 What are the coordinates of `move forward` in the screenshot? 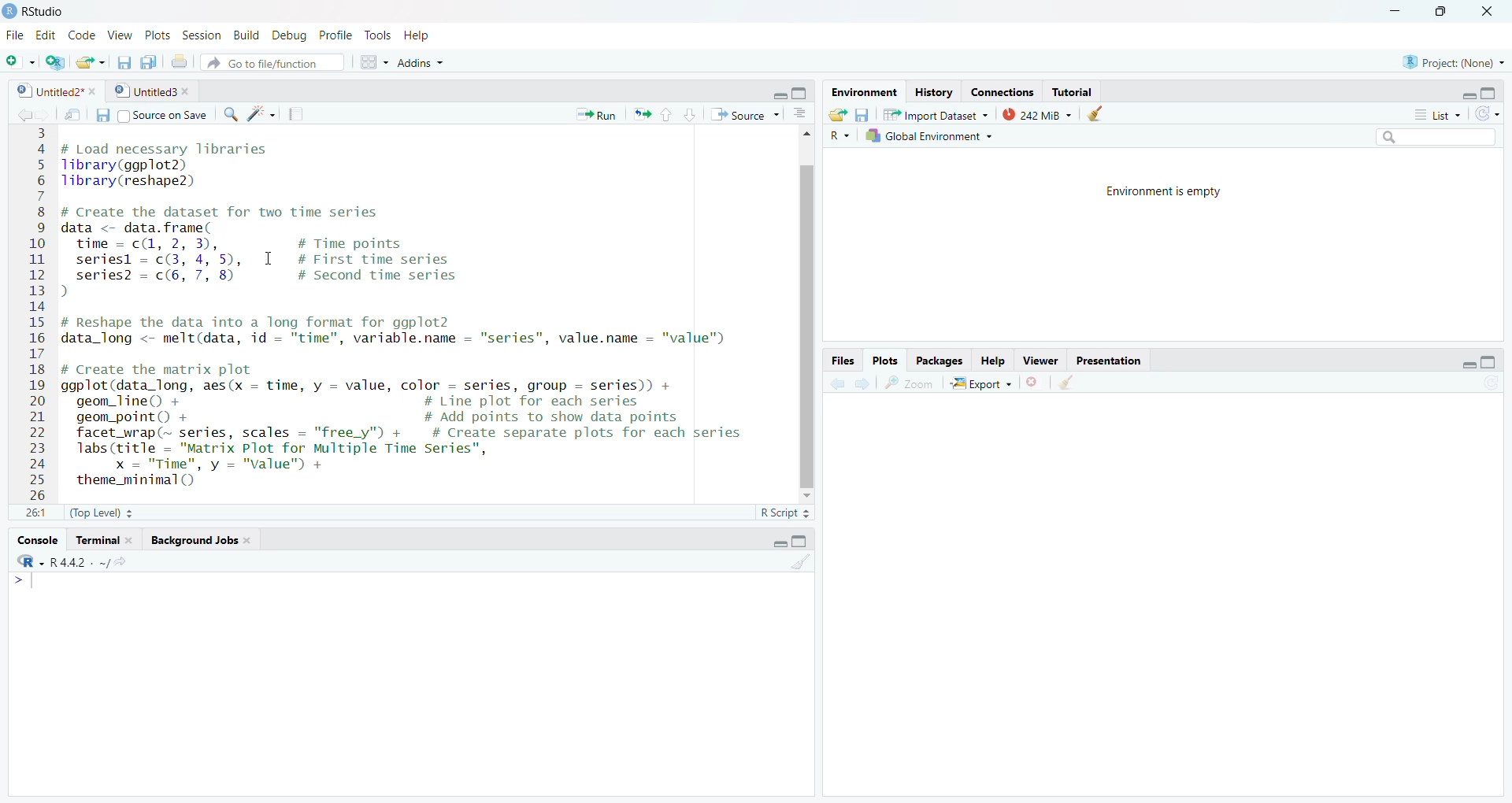 It's located at (45, 113).